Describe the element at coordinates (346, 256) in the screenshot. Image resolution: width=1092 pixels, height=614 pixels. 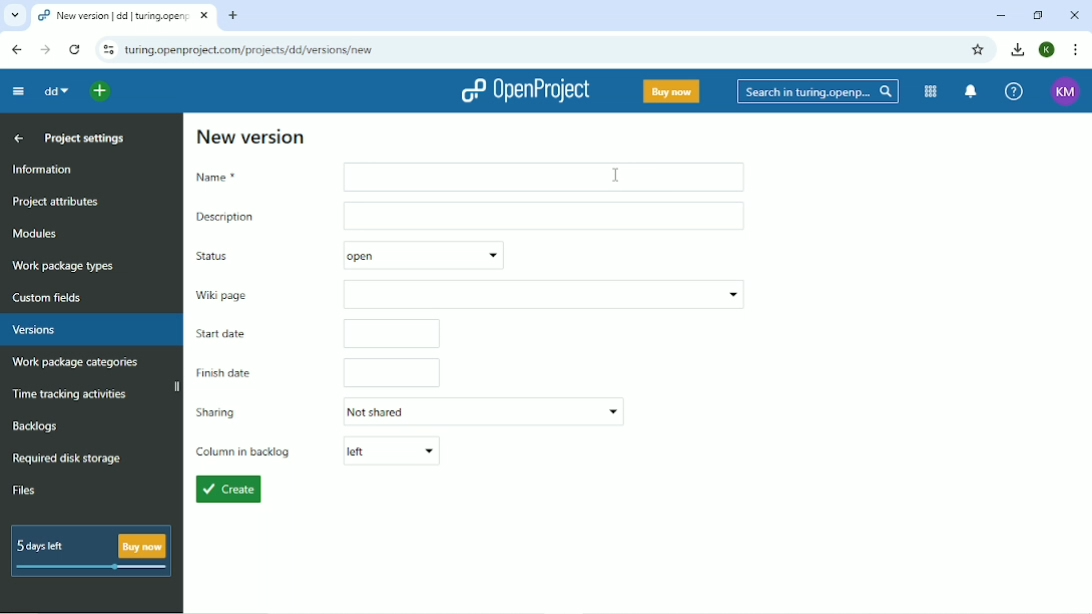
I see `Status` at that location.